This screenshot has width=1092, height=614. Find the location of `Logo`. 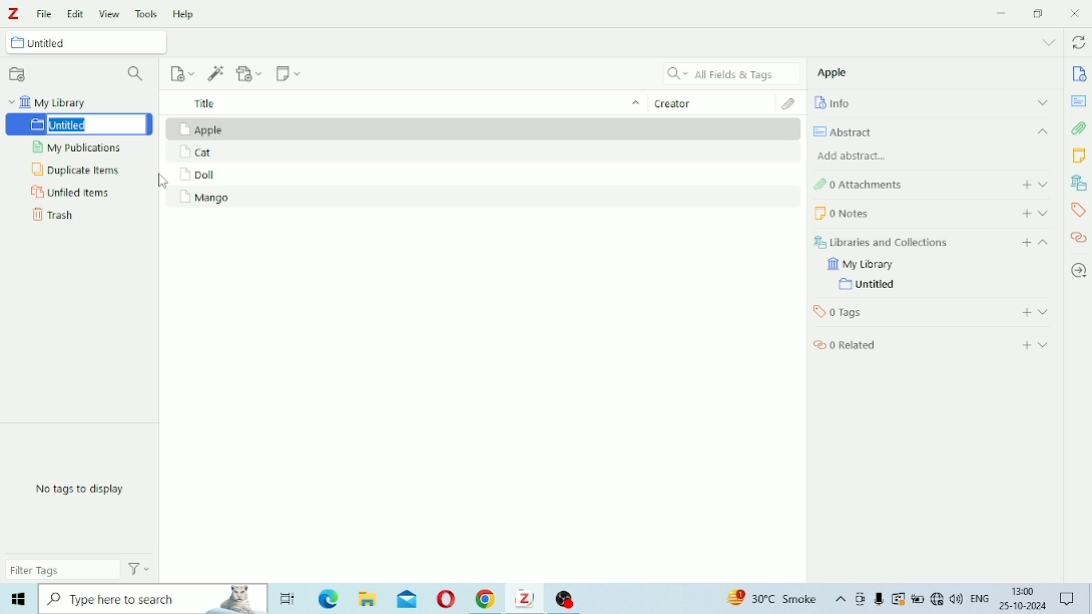

Logo is located at coordinates (15, 13).